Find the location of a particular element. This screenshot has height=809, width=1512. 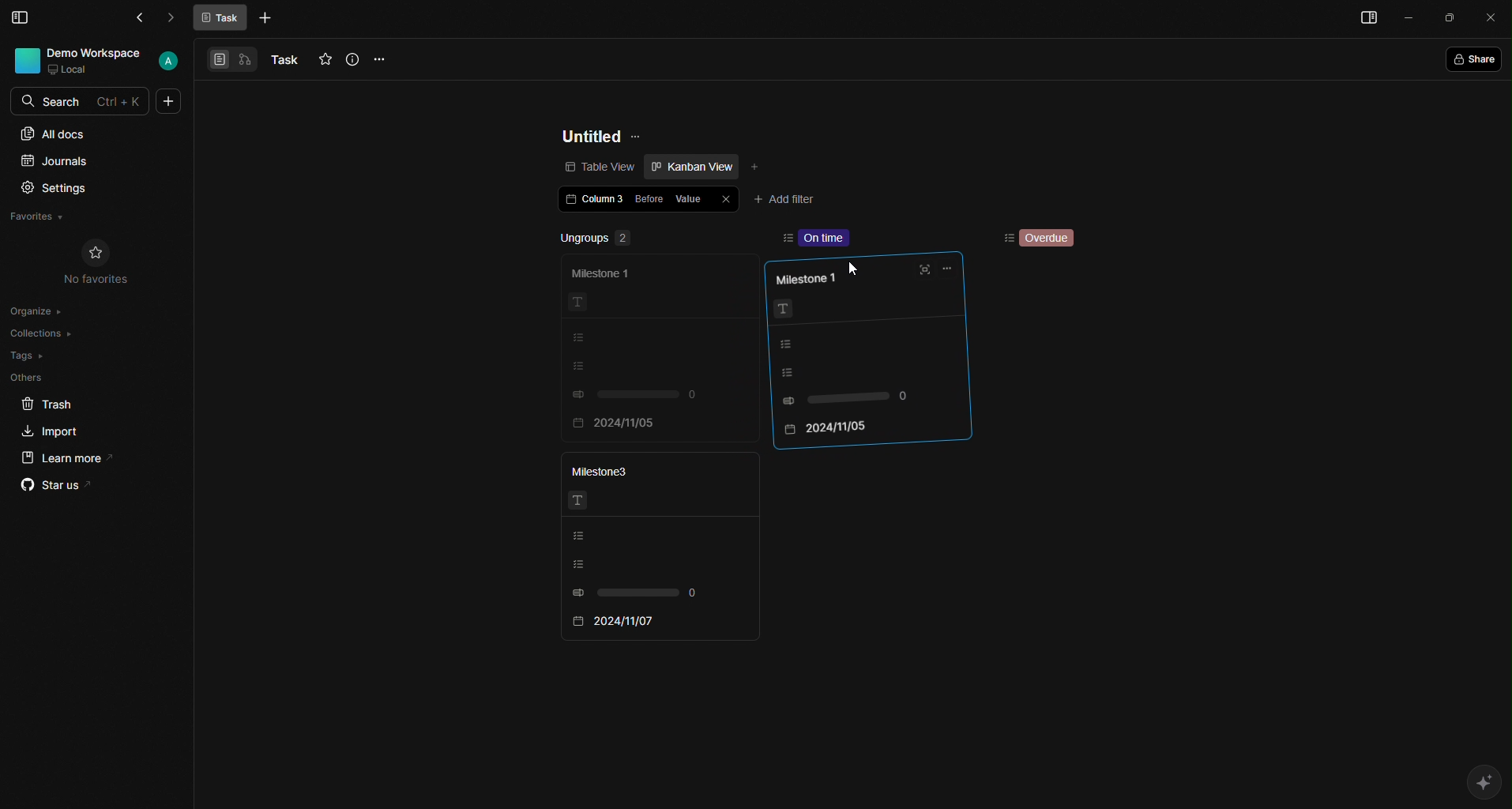

Table view is located at coordinates (579, 167).